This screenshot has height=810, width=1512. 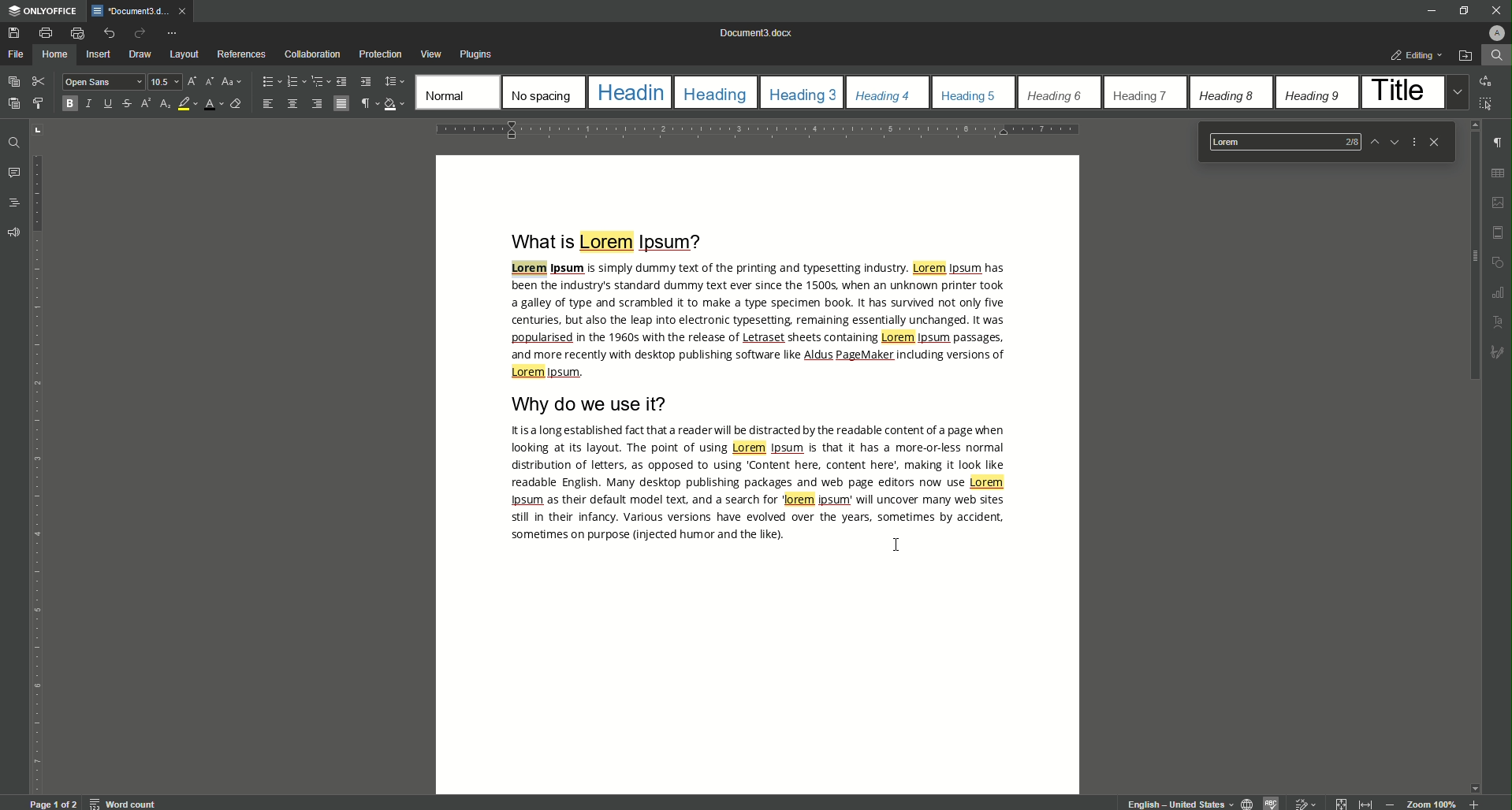 I want to click on Heading 7, so click(x=1140, y=95).